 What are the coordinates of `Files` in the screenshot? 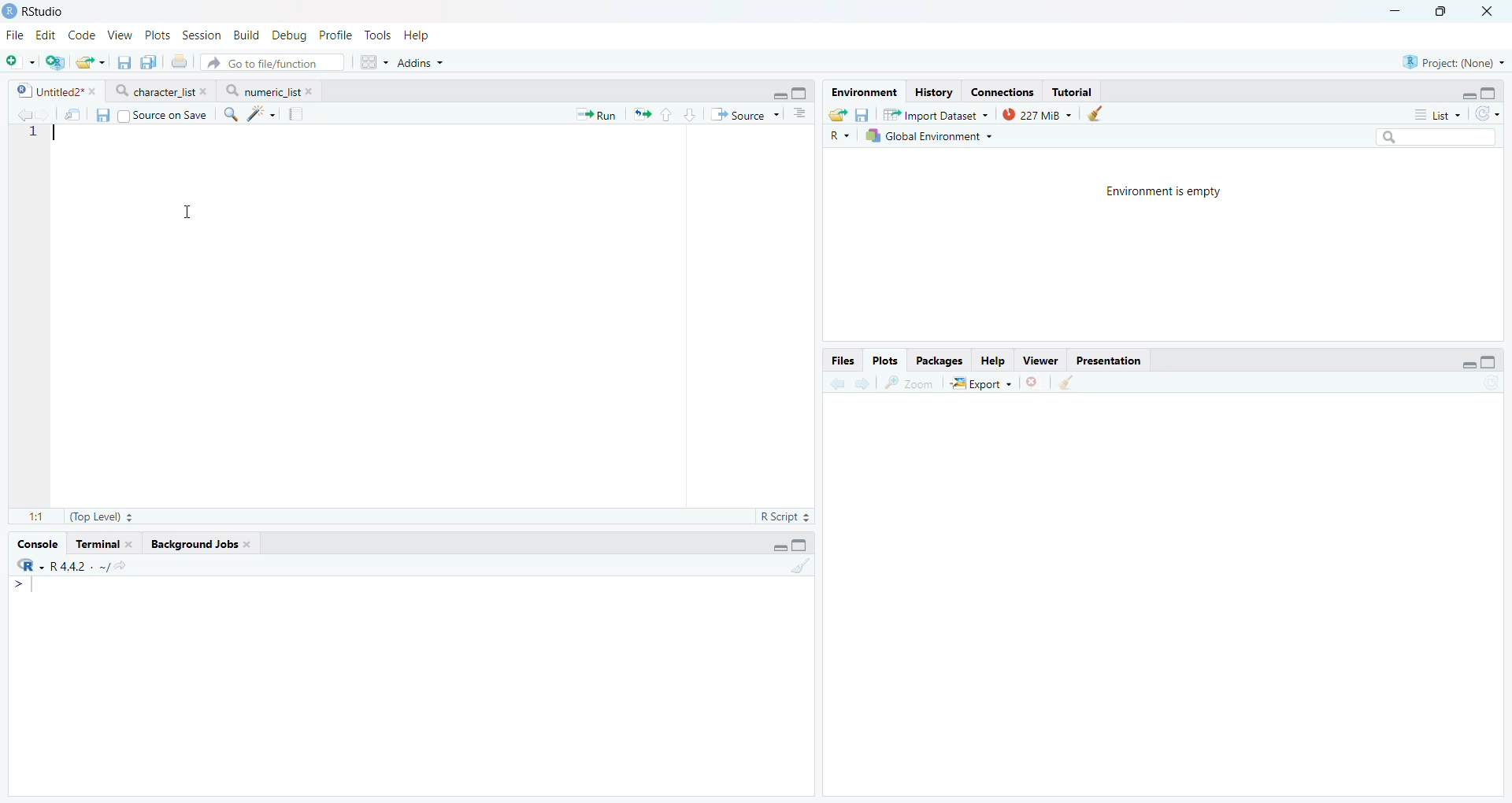 It's located at (842, 360).